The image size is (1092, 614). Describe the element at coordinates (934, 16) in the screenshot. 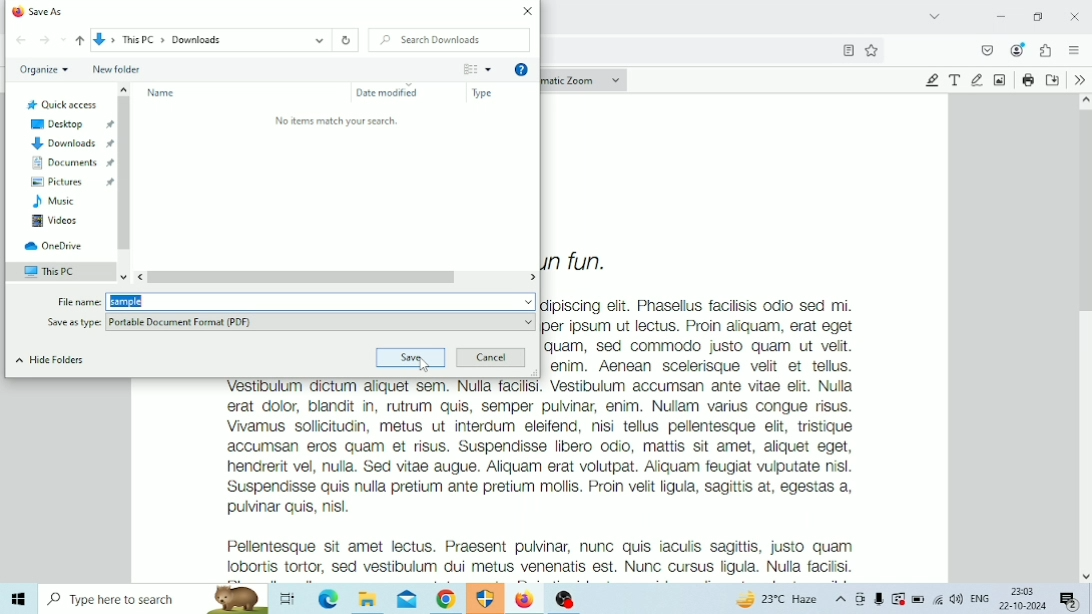

I see `List all tabs` at that location.